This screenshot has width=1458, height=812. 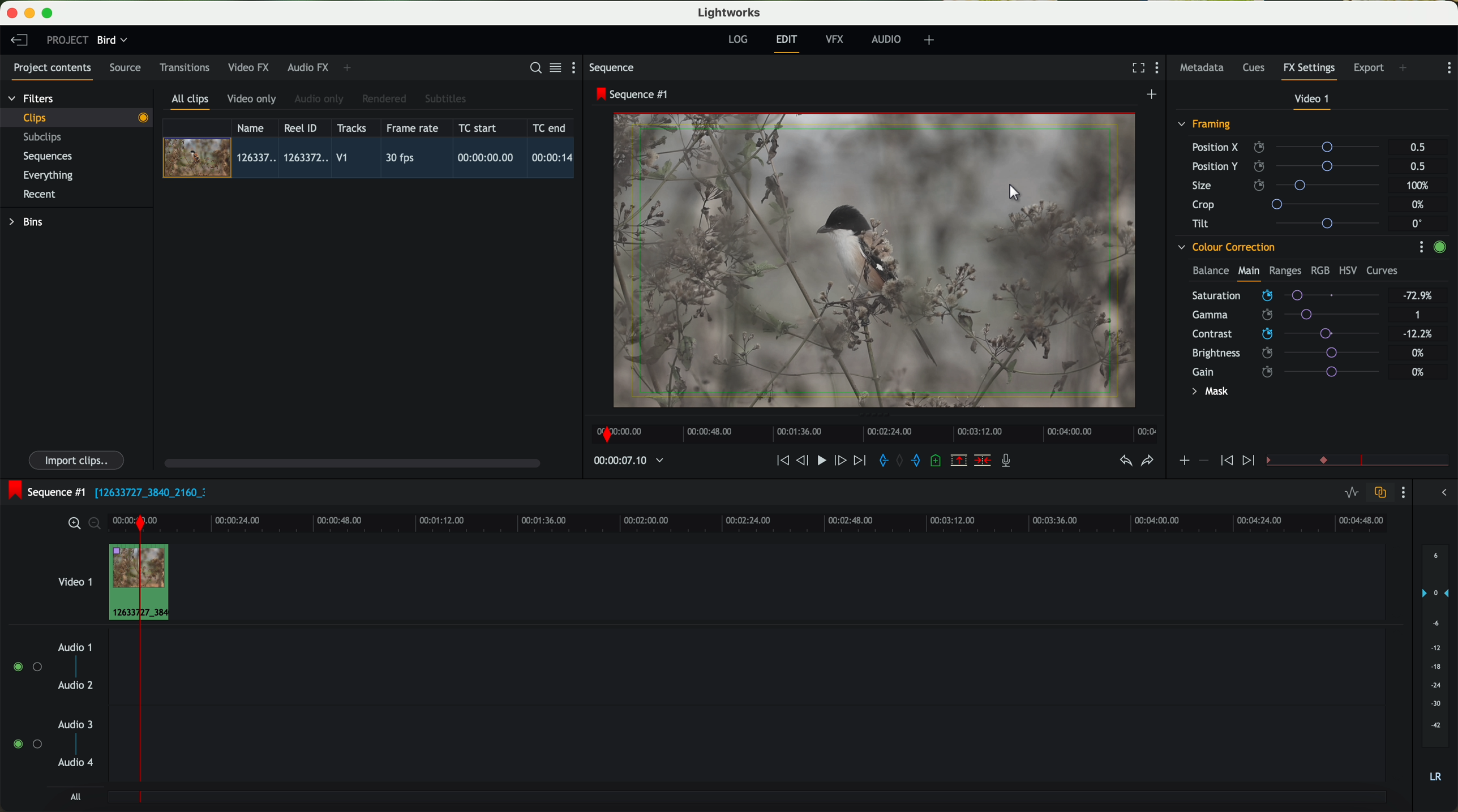 I want to click on recent, so click(x=40, y=196).